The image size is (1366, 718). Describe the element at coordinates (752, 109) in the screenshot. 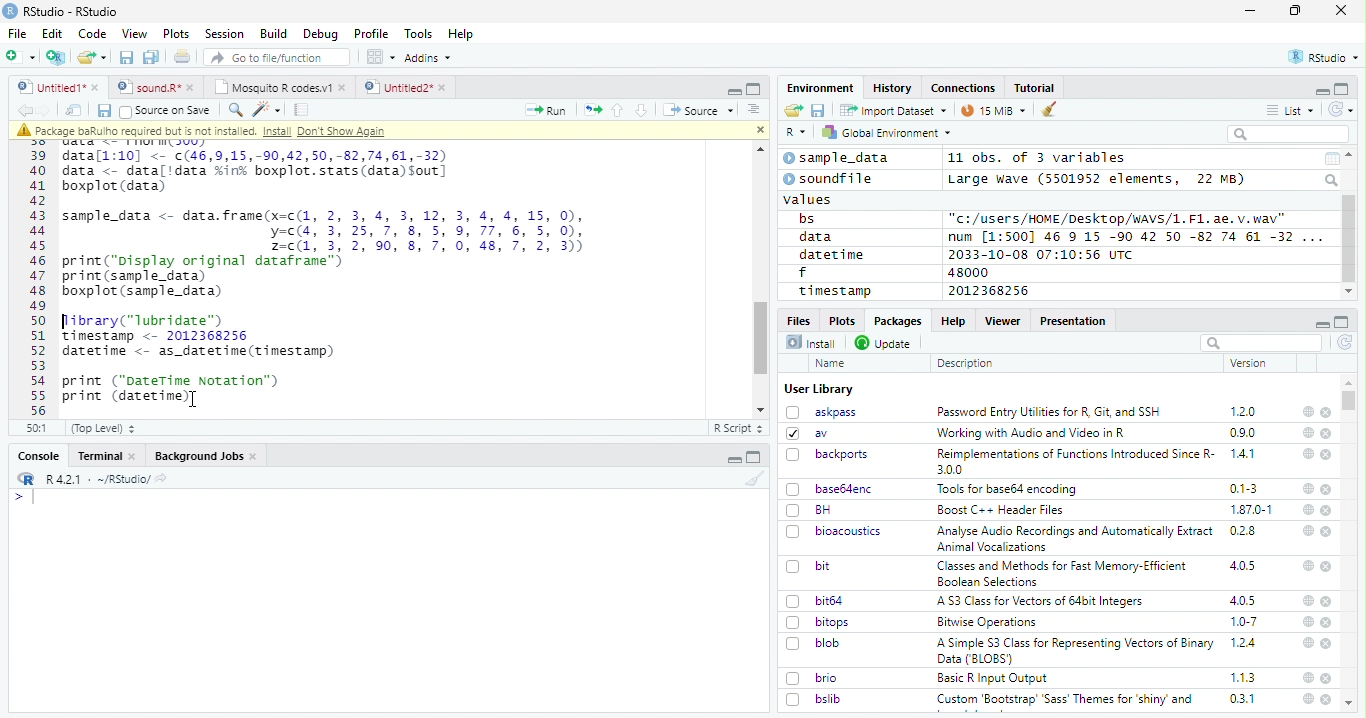

I see `Show document outline` at that location.